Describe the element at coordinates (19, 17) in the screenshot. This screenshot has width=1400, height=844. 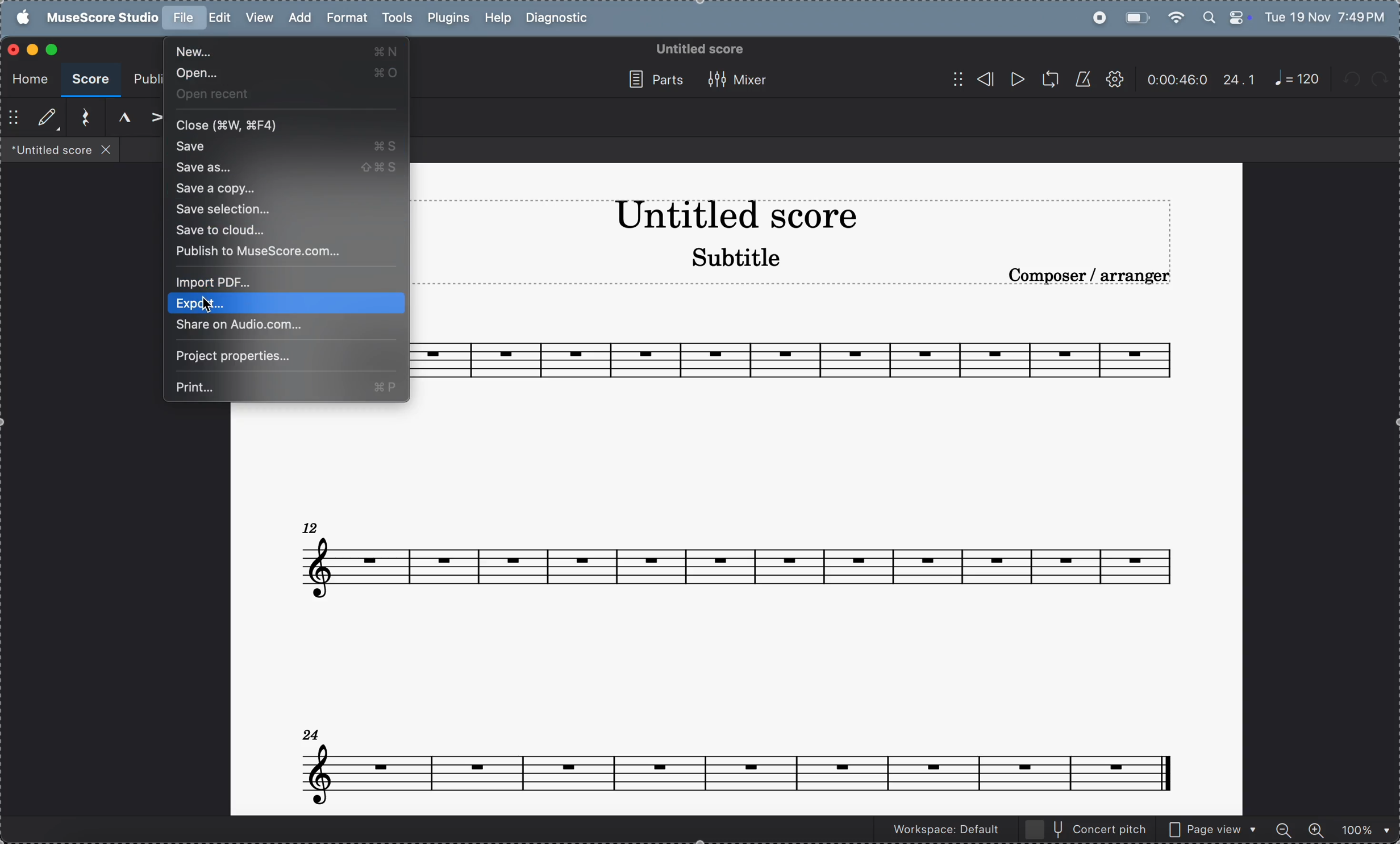
I see `apple menu` at that location.